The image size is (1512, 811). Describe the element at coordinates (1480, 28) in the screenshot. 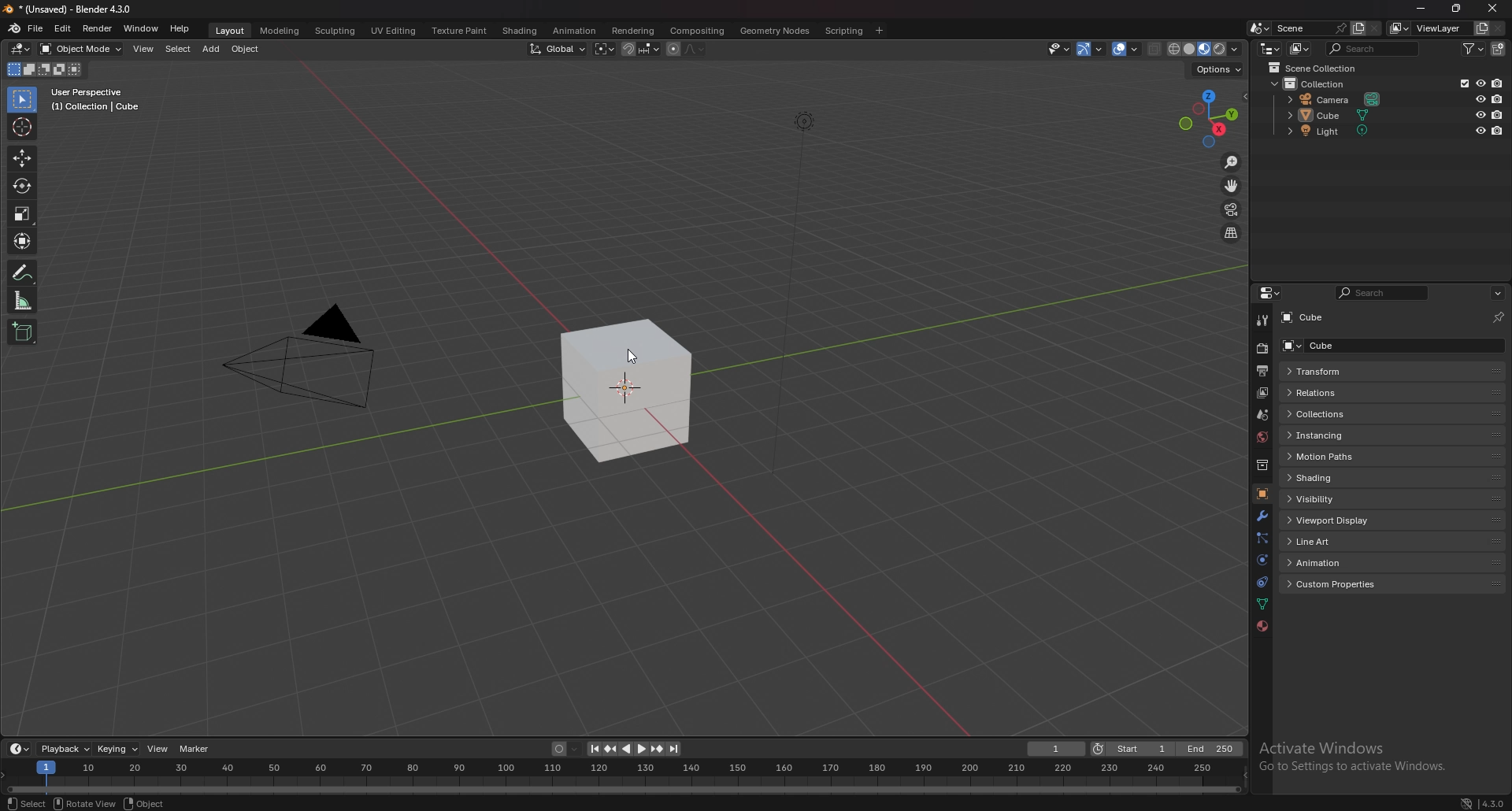

I see `add view layer` at that location.